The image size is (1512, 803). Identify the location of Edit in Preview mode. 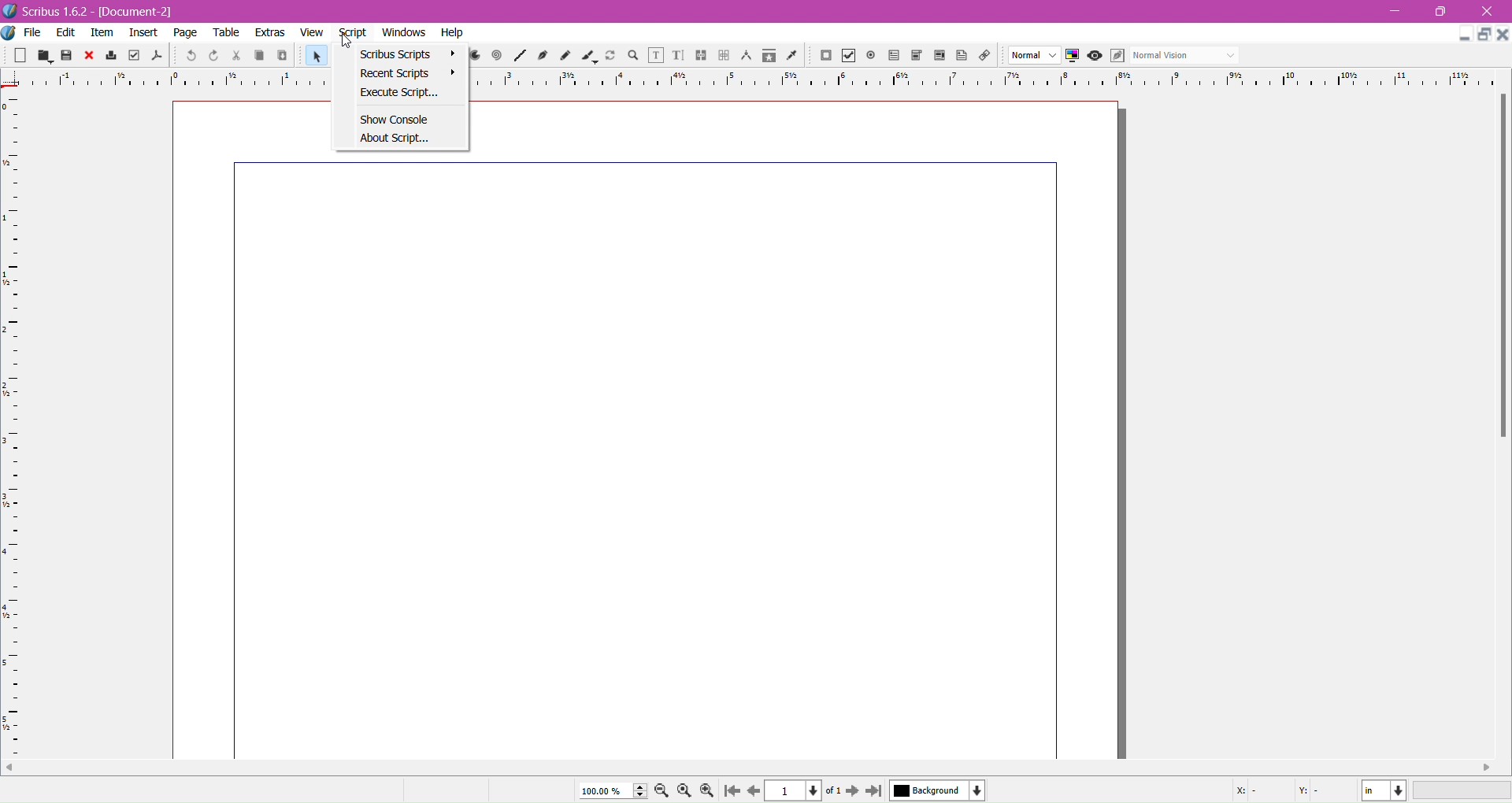
(1117, 56).